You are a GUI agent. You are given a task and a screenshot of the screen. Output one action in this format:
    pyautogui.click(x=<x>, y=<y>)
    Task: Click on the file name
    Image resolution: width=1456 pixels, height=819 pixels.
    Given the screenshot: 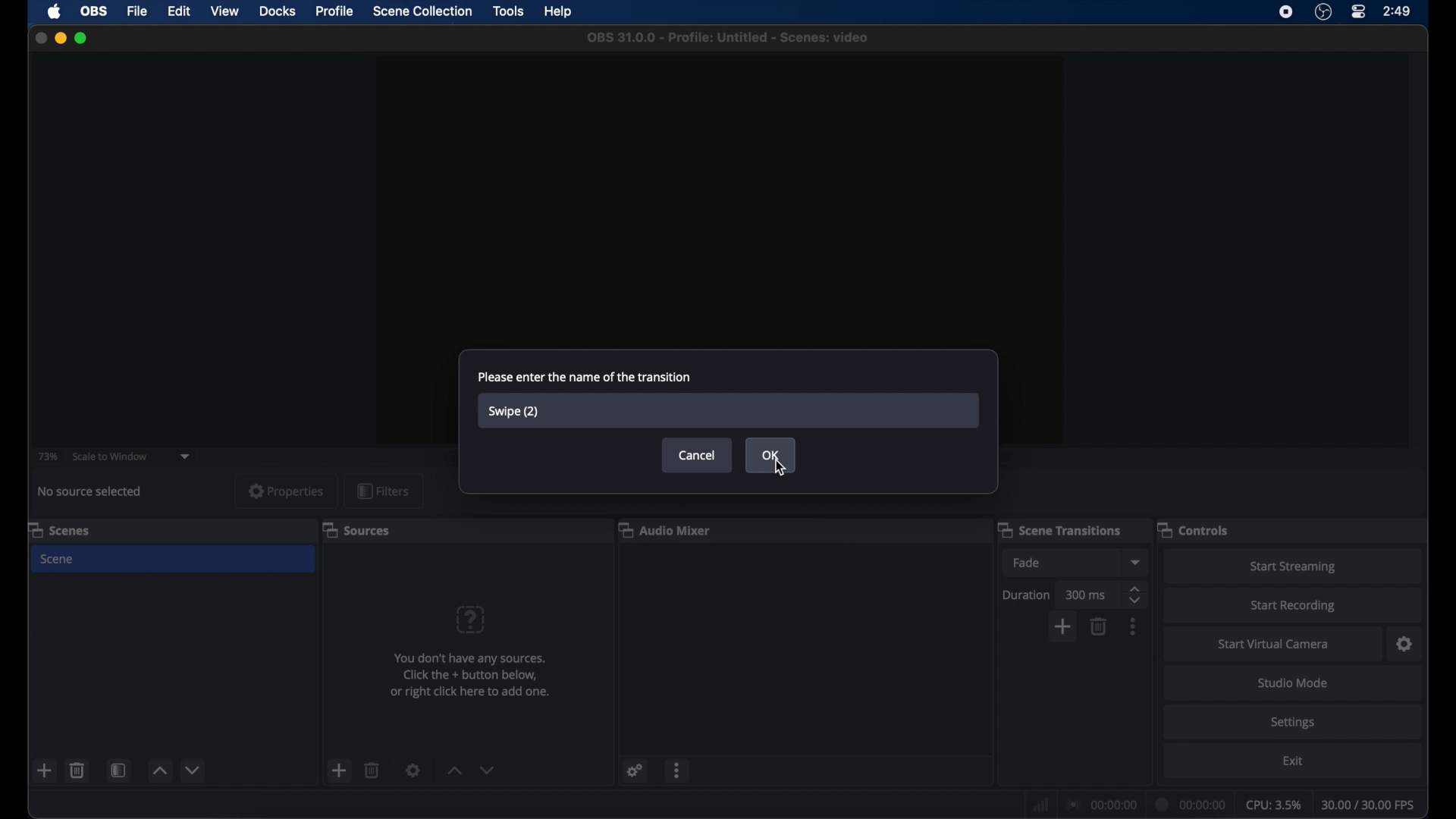 What is the action you would take?
    pyautogui.click(x=727, y=37)
    